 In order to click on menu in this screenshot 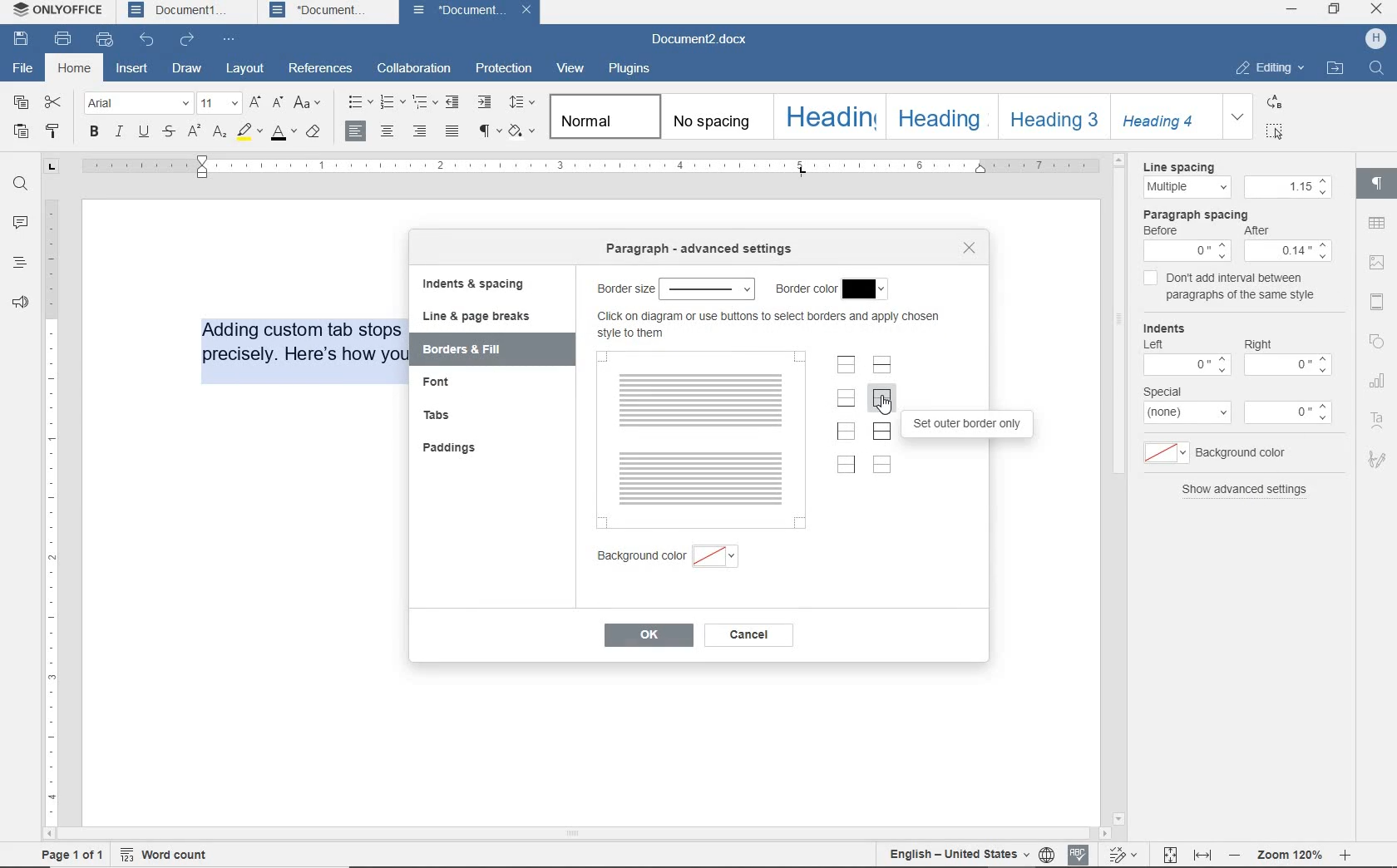, I will do `click(1163, 451)`.